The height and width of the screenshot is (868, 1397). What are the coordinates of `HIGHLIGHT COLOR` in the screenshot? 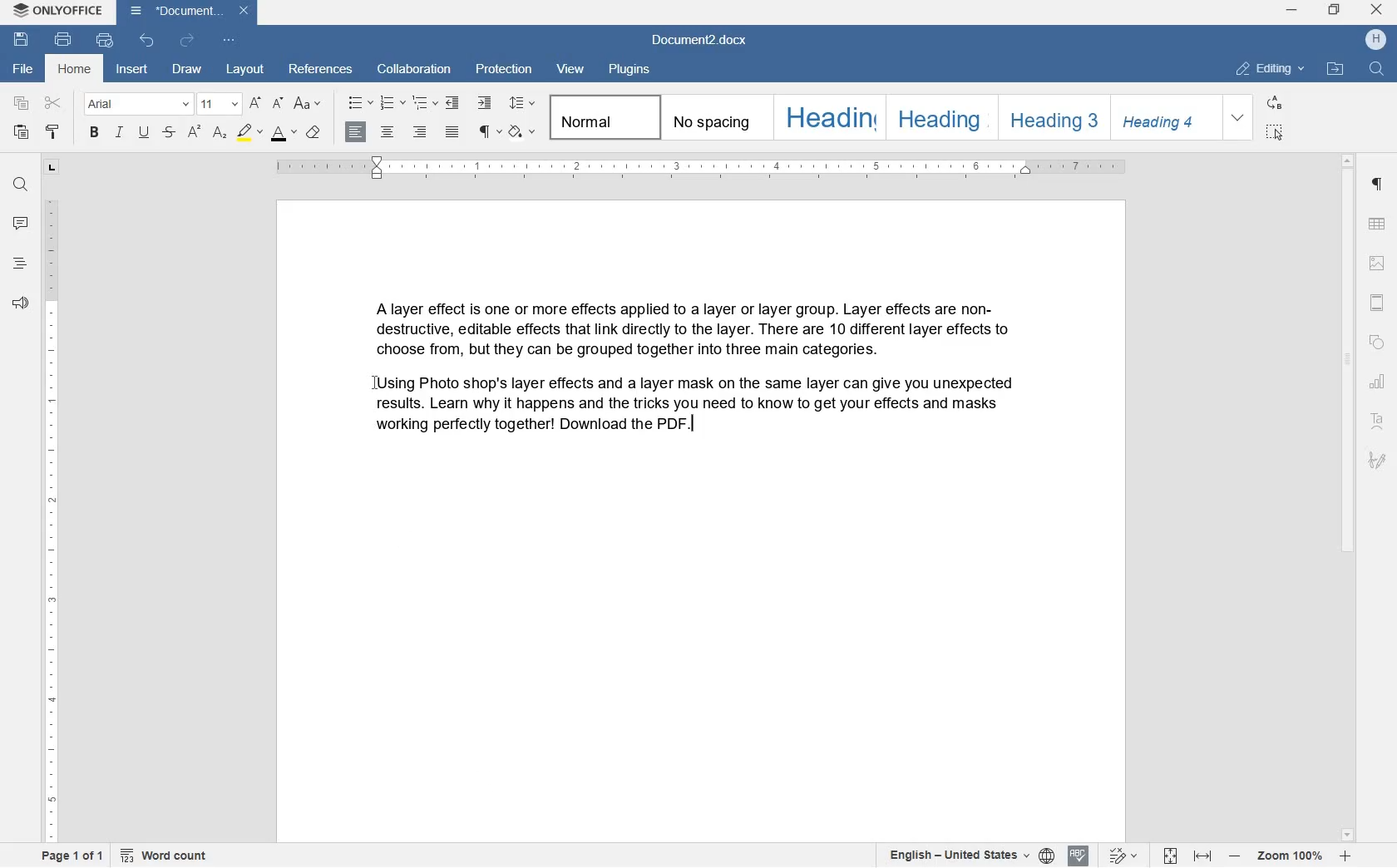 It's located at (248, 132).